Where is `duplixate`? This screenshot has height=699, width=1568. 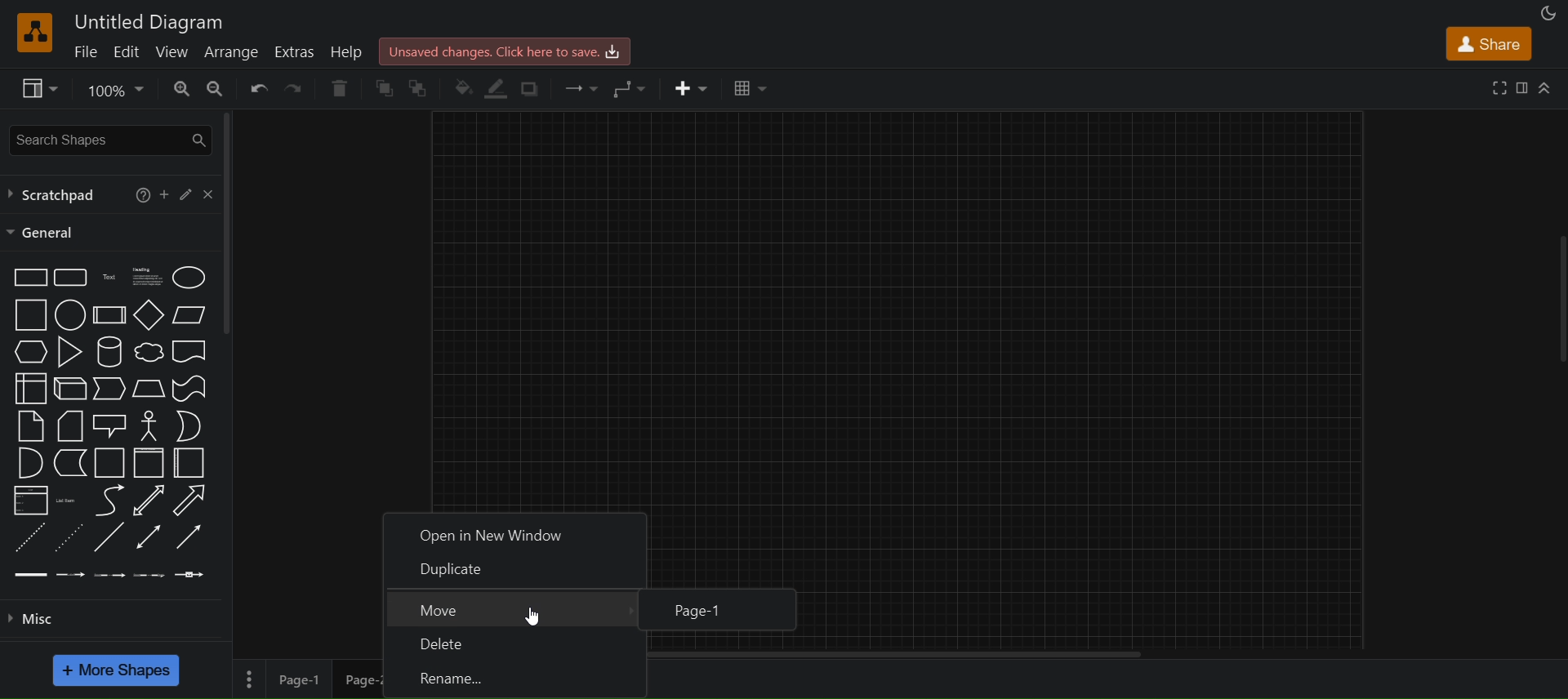 duplixate is located at coordinates (517, 568).